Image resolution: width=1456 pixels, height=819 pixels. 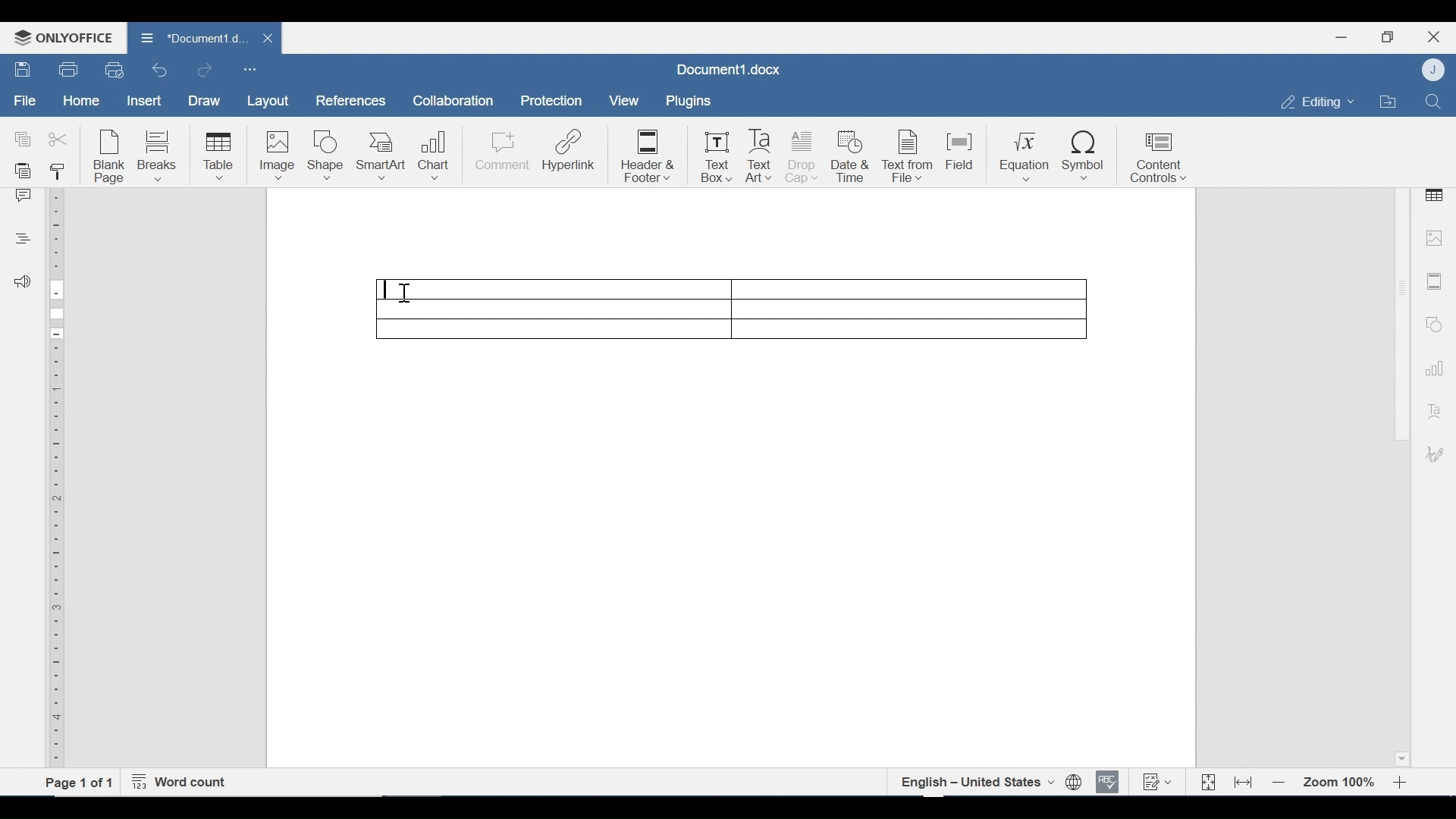 What do you see at coordinates (381, 156) in the screenshot?
I see `SmartArt` at bounding box center [381, 156].